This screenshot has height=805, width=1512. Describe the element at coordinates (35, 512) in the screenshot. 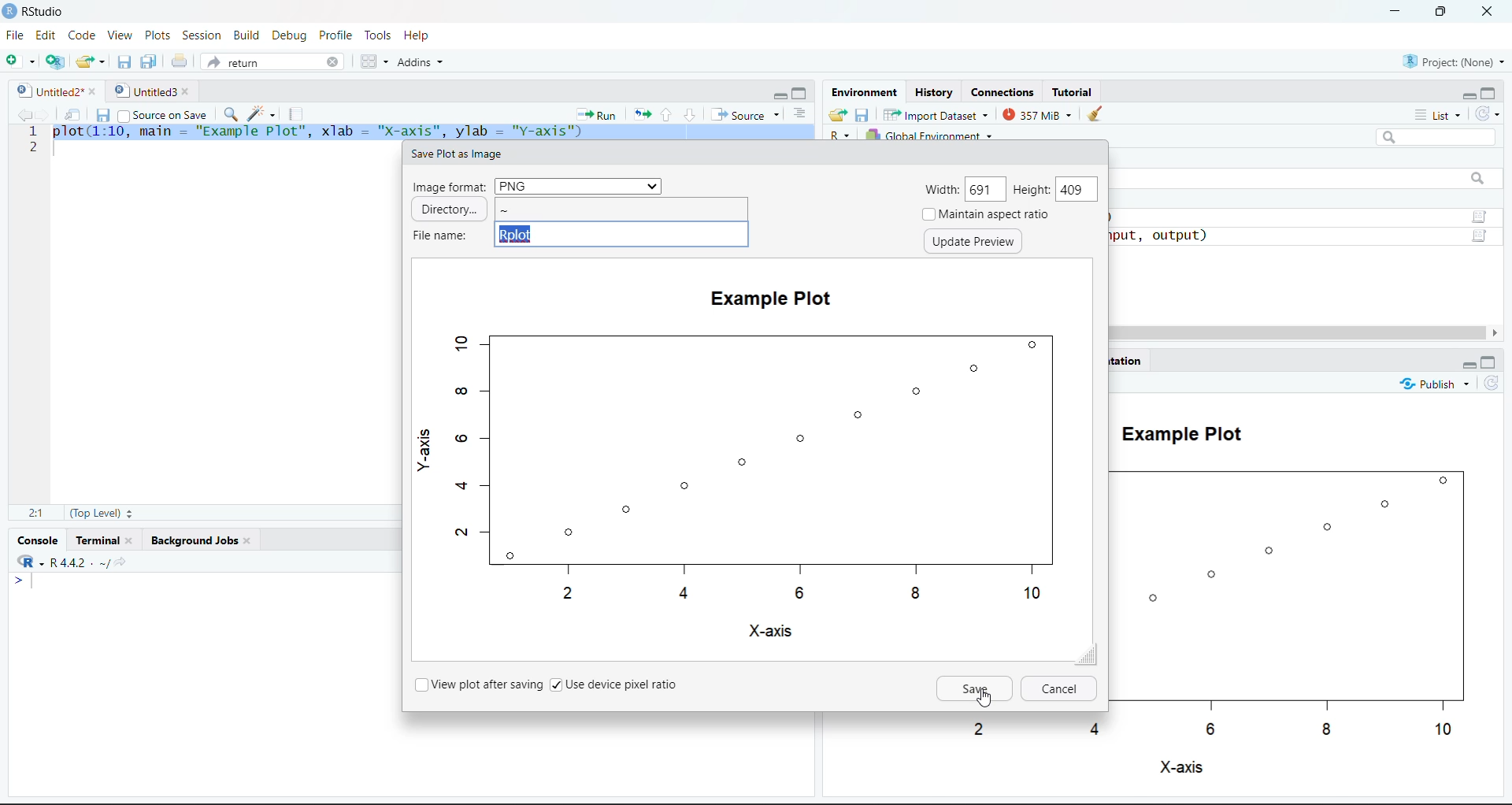

I see `2:1` at that location.